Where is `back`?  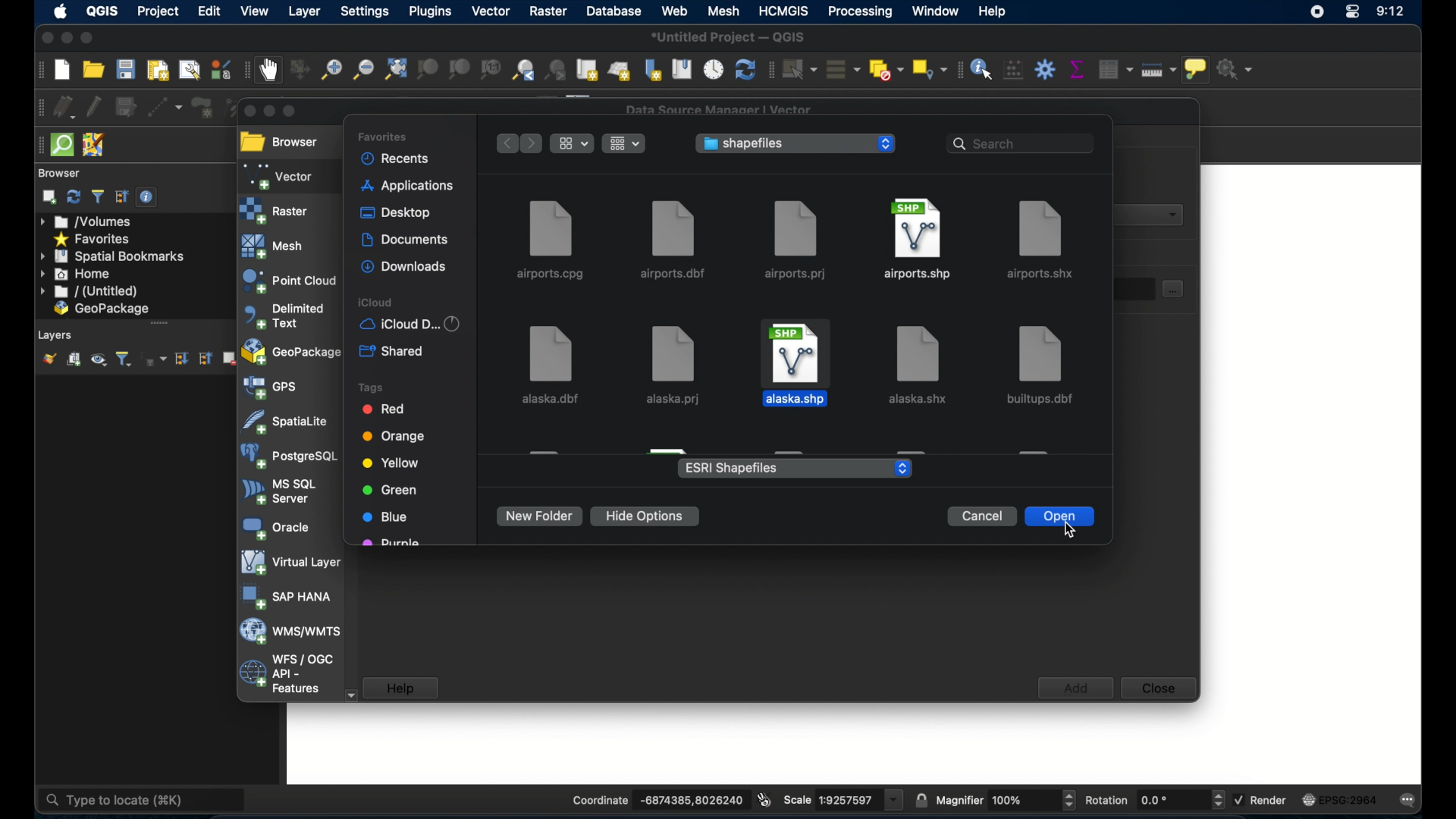
back is located at coordinates (506, 143).